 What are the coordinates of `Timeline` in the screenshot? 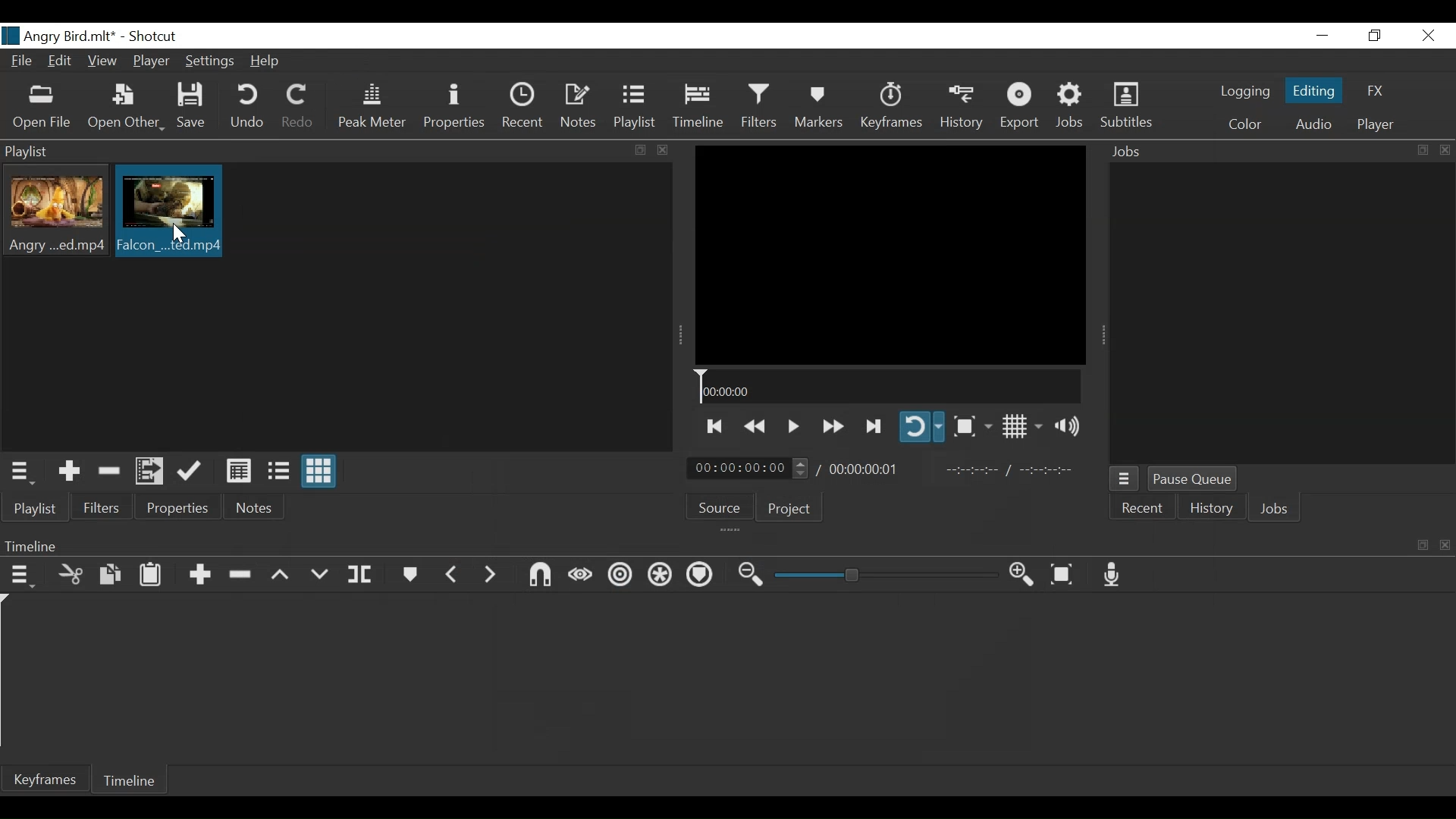 It's located at (886, 388).